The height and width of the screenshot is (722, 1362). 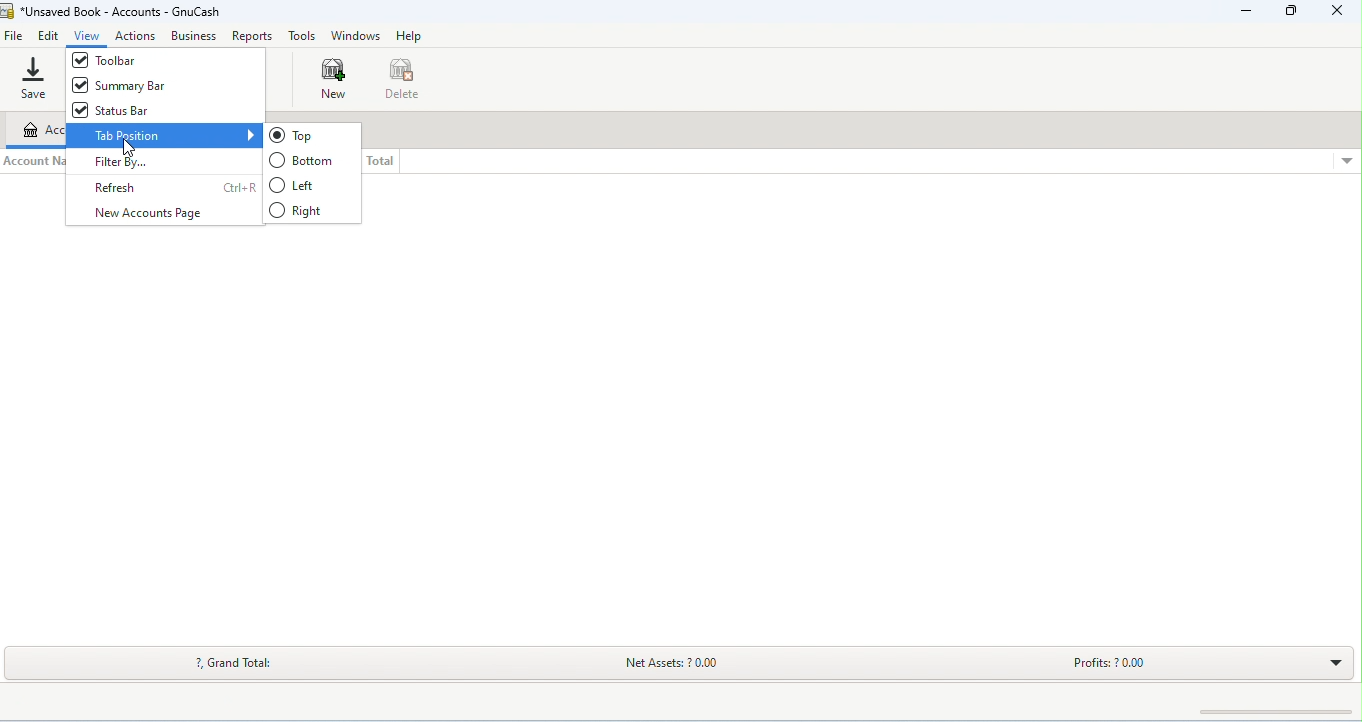 What do you see at coordinates (123, 164) in the screenshot?
I see `filter by` at bounding box center [123, 164].